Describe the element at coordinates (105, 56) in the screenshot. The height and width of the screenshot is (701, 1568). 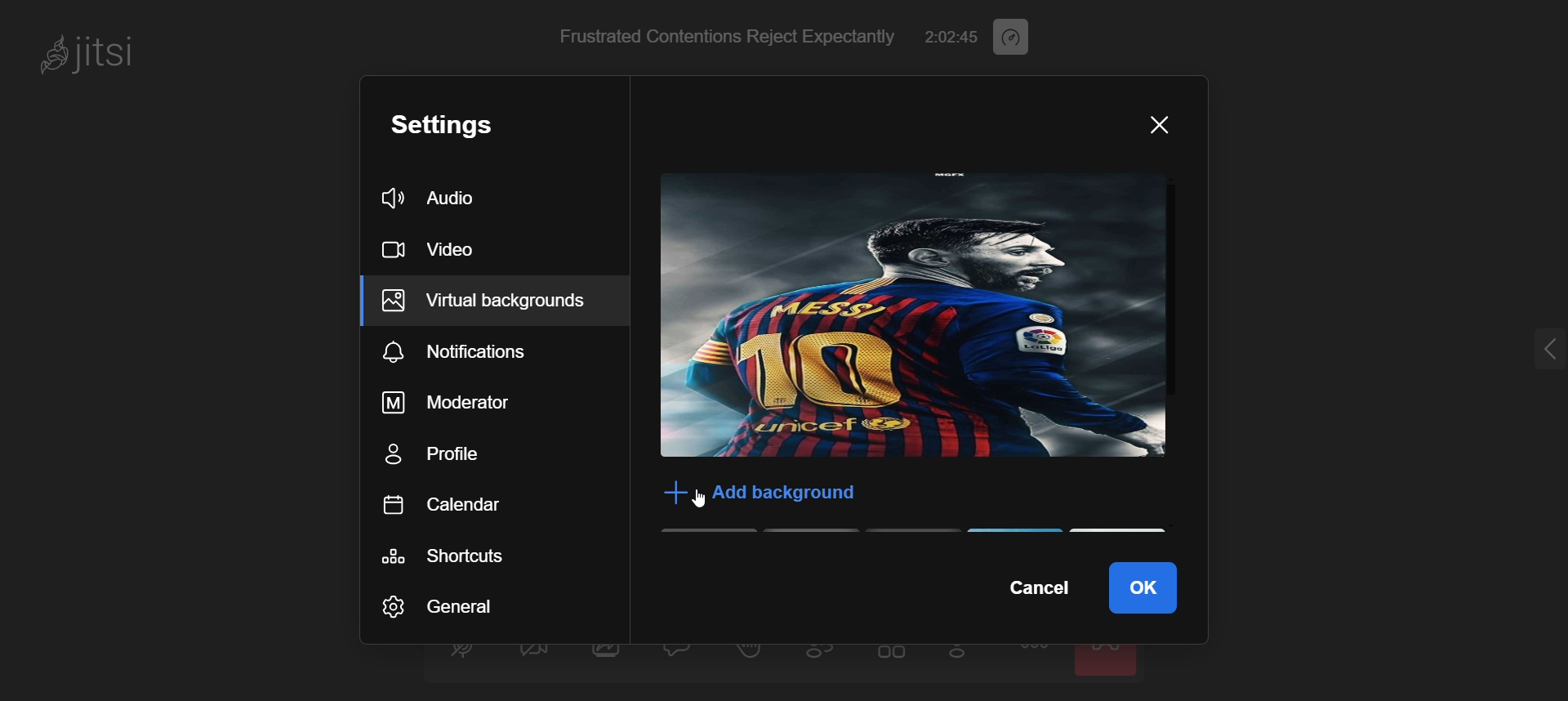
I see `Jitsi` at that location.